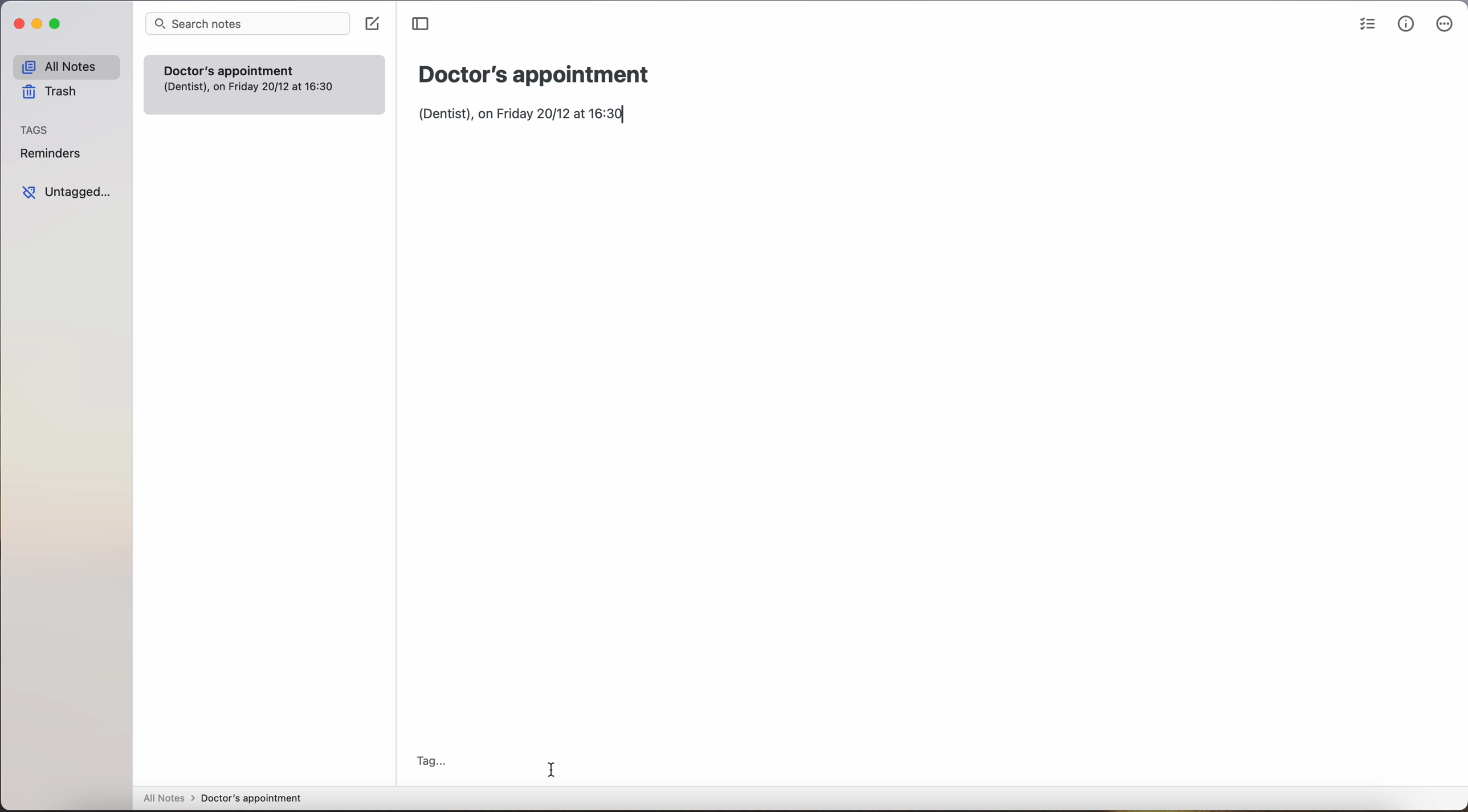 This screenshot has width=1468, height=812. What do you see at coordinates (264, 84) in the screenshot?
I see `Doctor's appointment` at bounding box center [264, 84].